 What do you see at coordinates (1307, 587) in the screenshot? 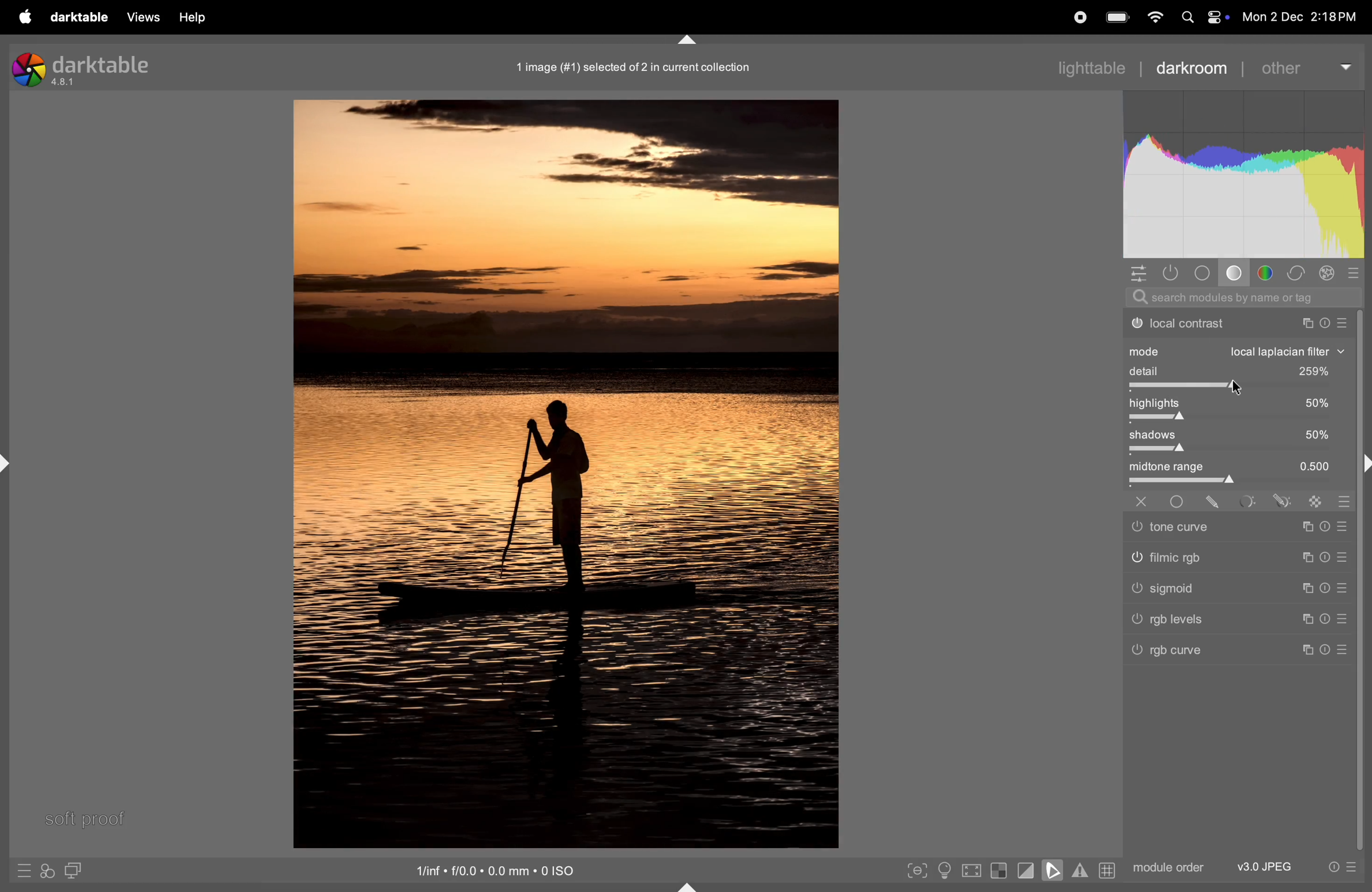
I see `sign ` at bounding box center [1307, 587].